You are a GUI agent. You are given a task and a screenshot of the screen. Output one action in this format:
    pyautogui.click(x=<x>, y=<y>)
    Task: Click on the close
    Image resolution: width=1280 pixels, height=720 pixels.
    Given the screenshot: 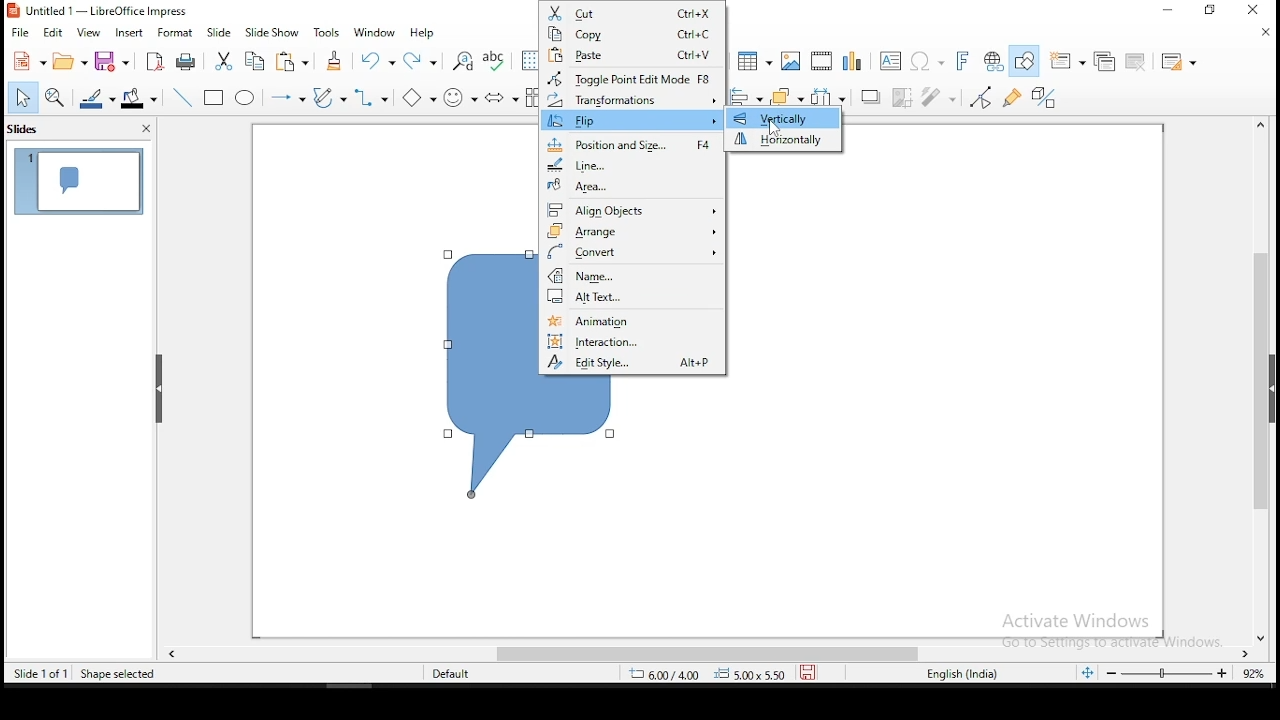 What is the action you would take?
    pyautogui.click(x=1268, y=32)
    